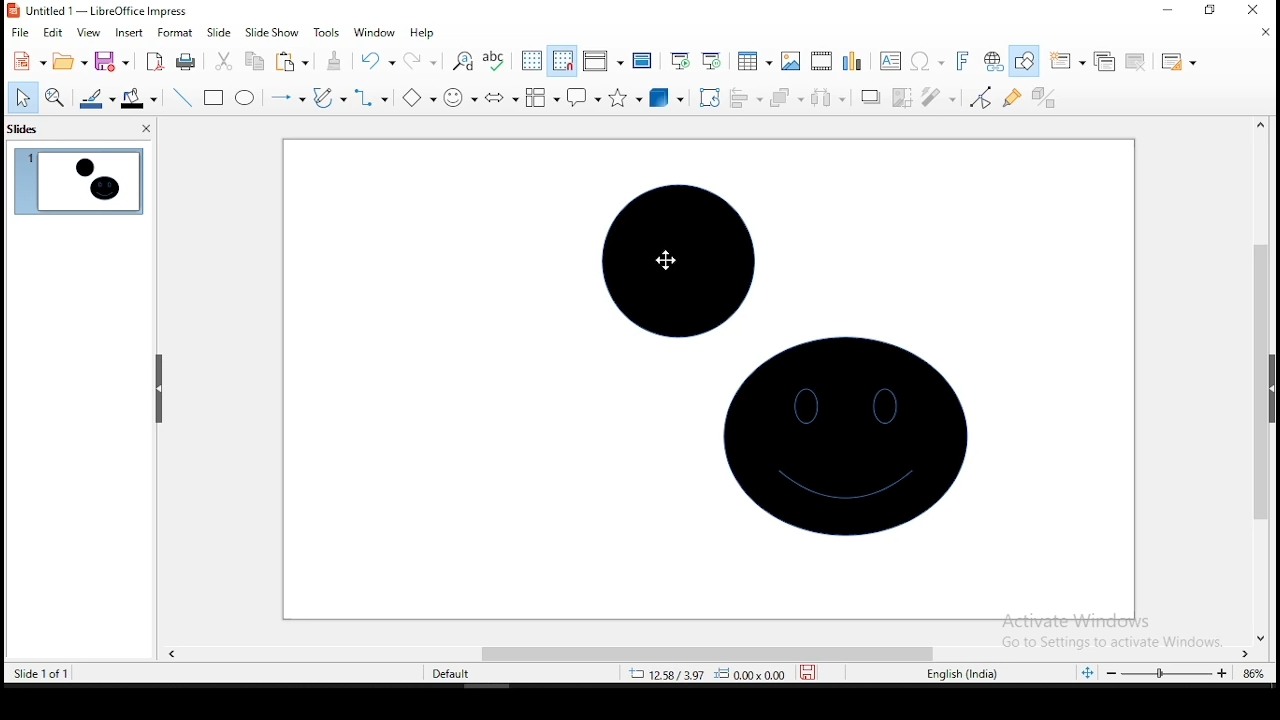  Describe the element at coordinates (852, 60) in the screenshot. I see `insert chart` at that location.